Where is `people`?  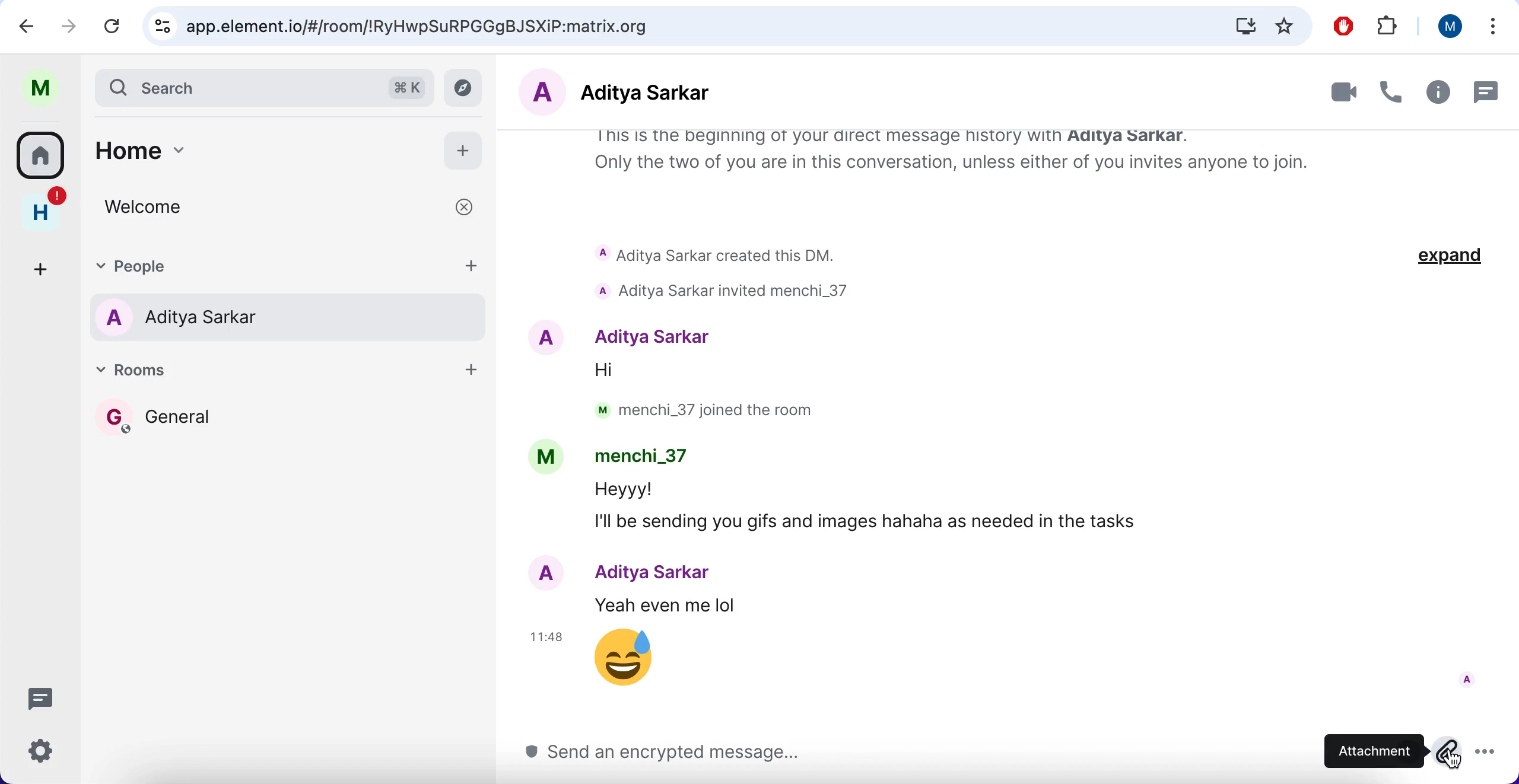 people is located at coordinates (272, 263).